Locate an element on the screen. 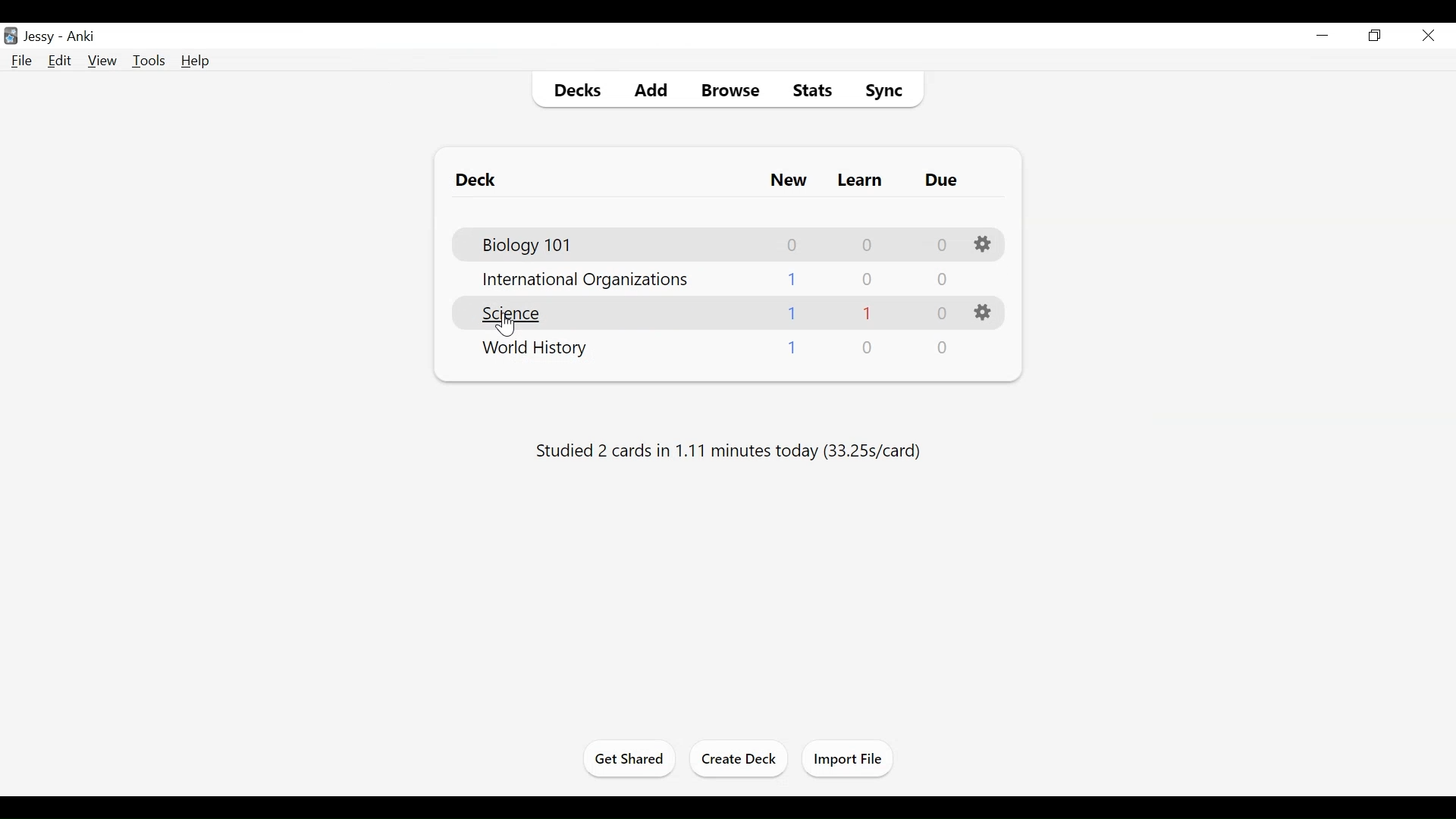 The image size is (1456, 819). Due Cards Count is located at coordinates (940, 281).